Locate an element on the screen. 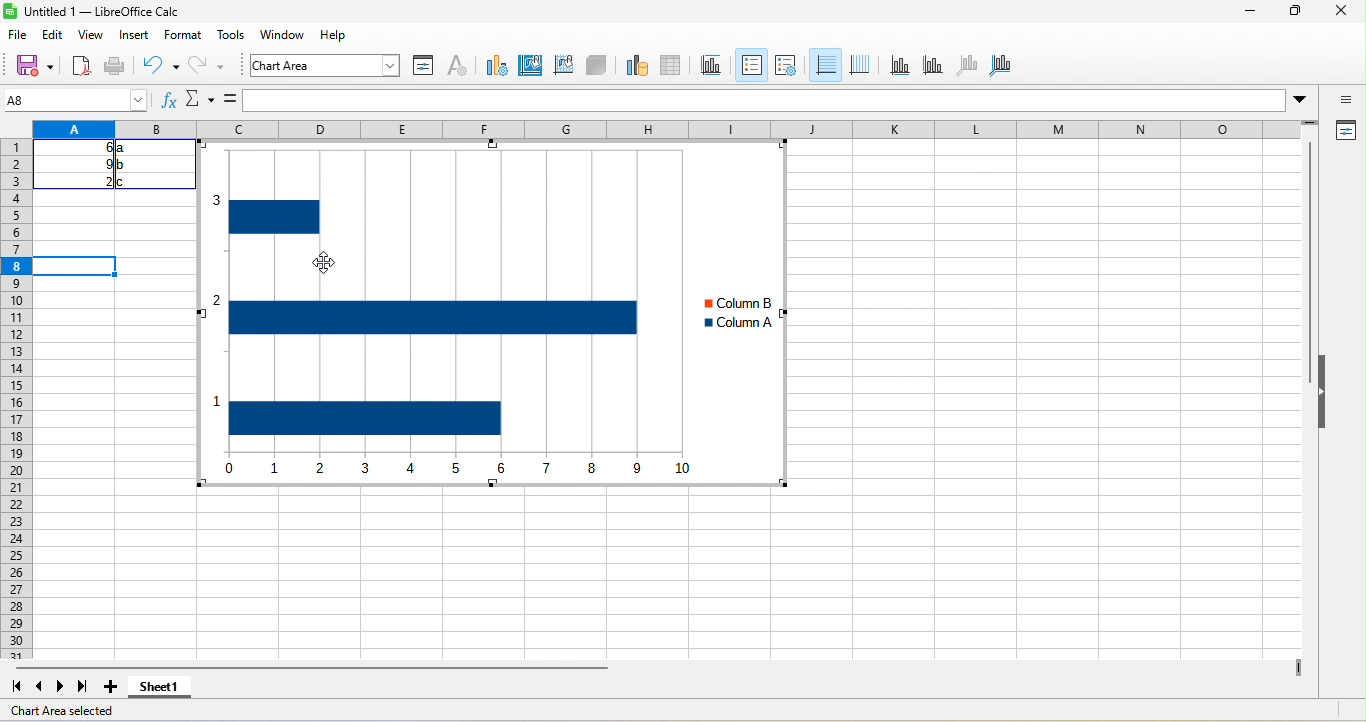 Image resolution: width=1366 pixels, height=722 pixels. file is located at coordinates (18, 35).